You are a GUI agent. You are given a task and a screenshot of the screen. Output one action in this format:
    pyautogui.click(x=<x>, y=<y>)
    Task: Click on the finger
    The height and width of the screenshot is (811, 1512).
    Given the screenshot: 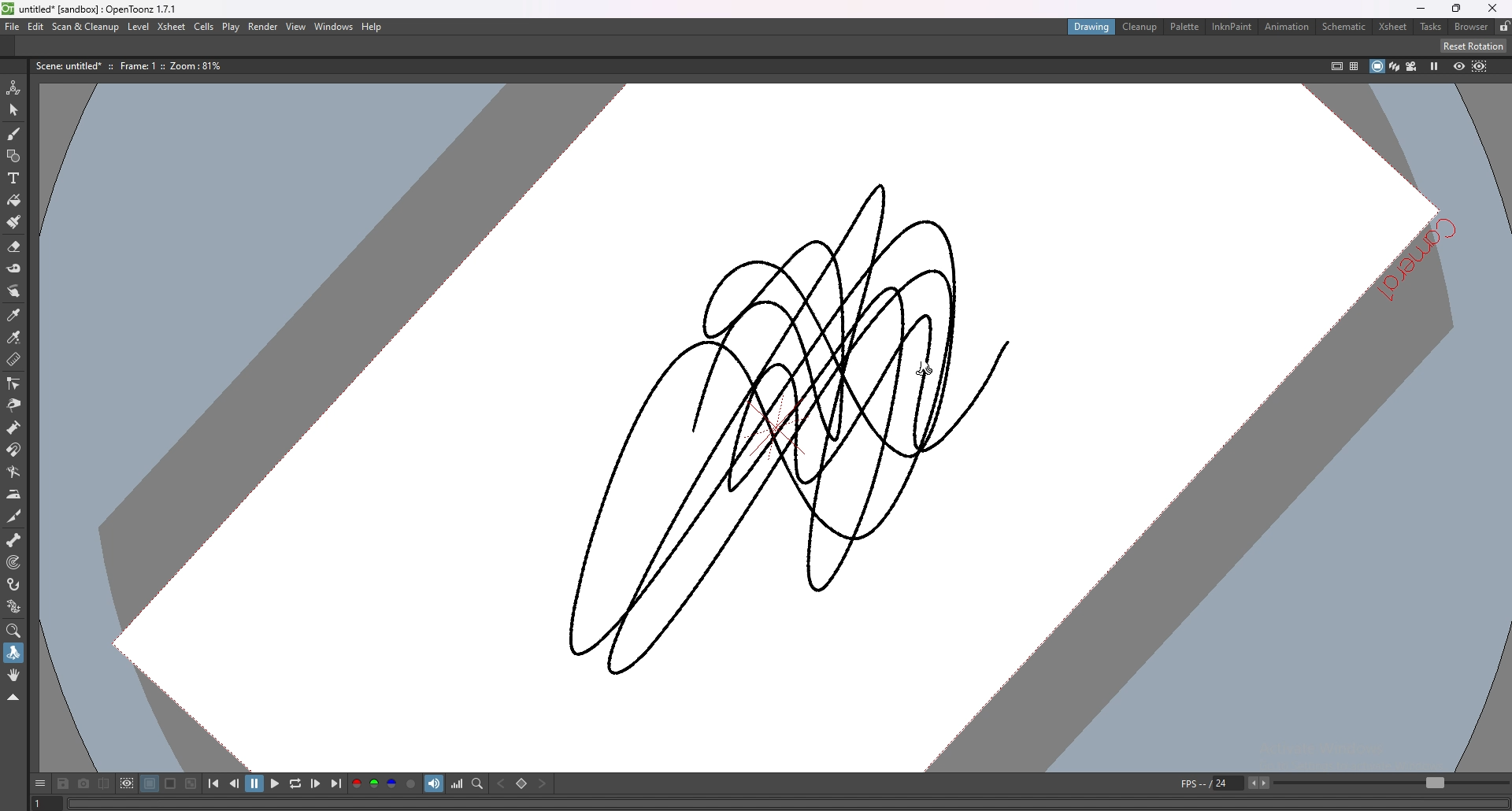 What is the action you would take?
    pyautogui.click(x=13, y=291)
    